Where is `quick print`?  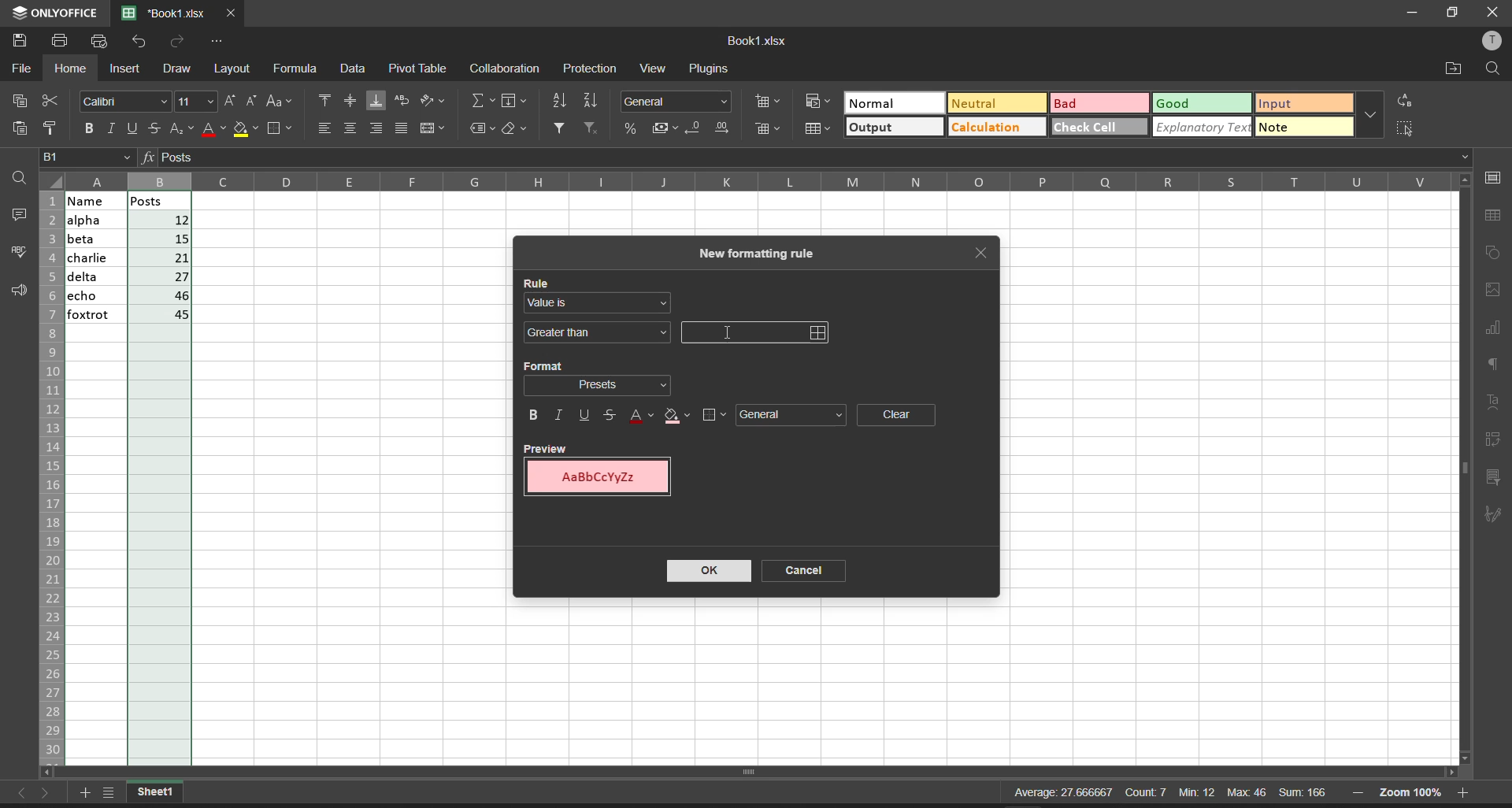 quick print is located at coordinates (99, 42).